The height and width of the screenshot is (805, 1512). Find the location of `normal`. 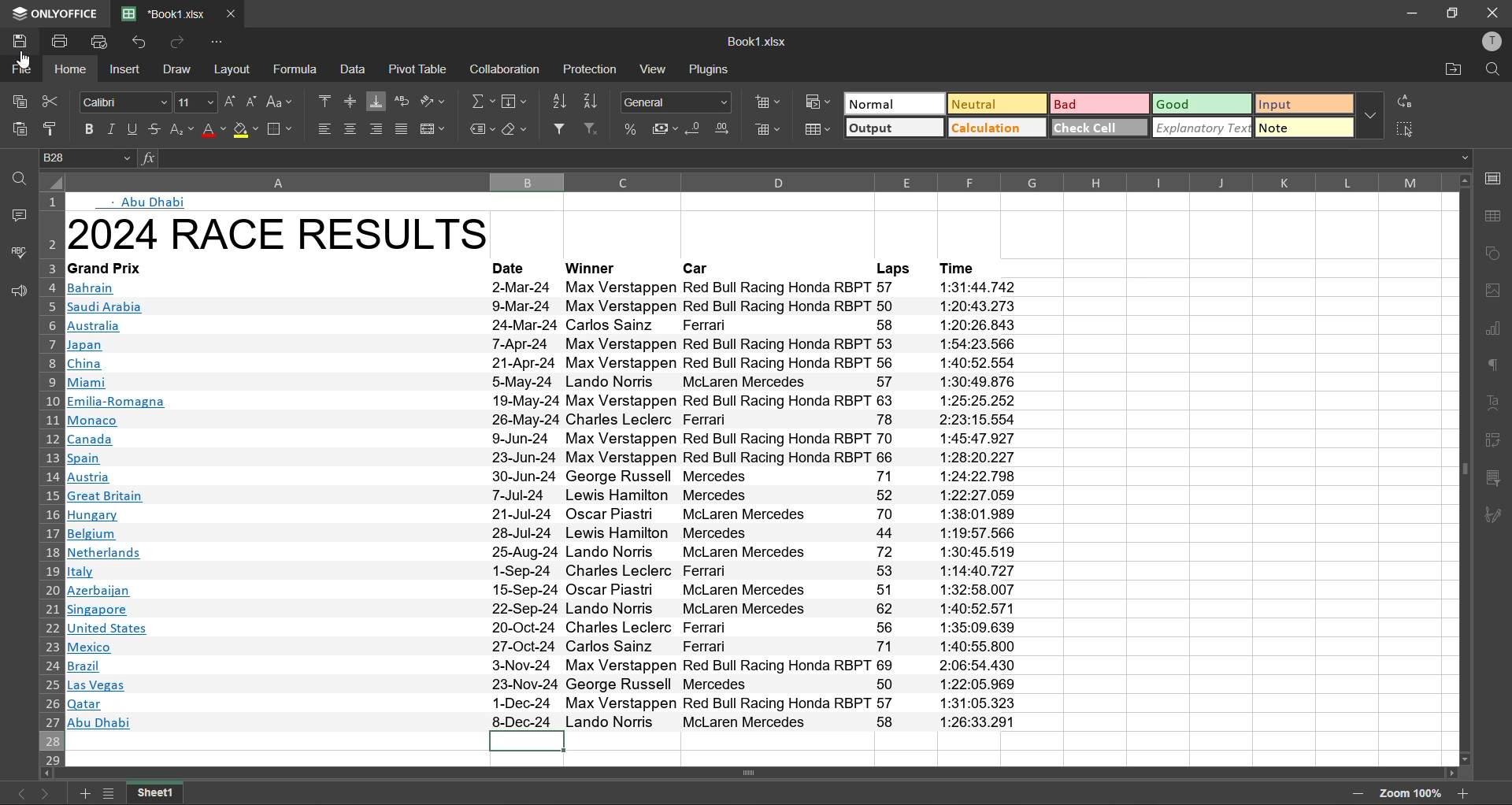

normal is located at coordinates (894, 103).